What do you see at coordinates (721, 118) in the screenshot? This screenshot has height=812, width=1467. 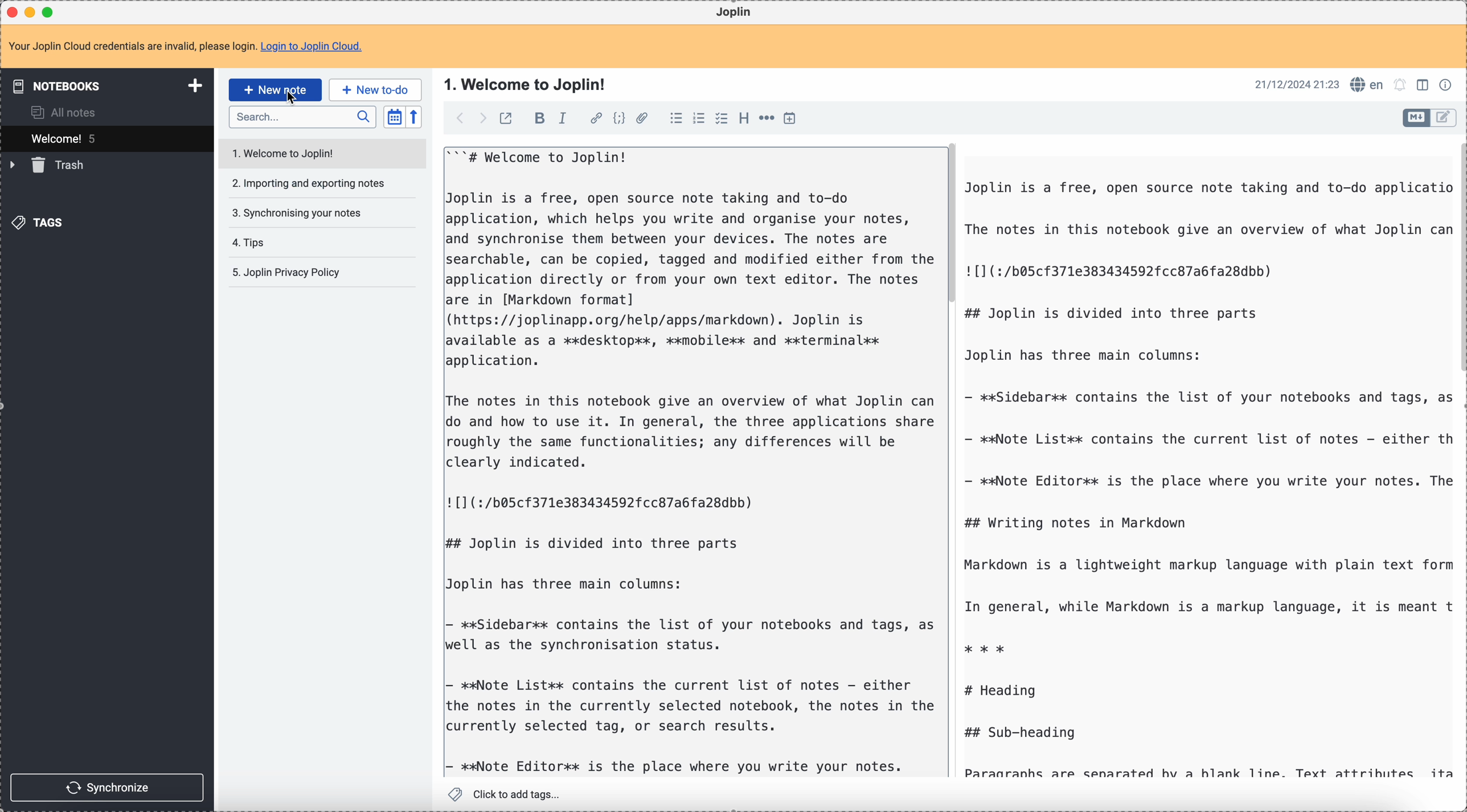 I see `check list` at bounding box center [721, 118].